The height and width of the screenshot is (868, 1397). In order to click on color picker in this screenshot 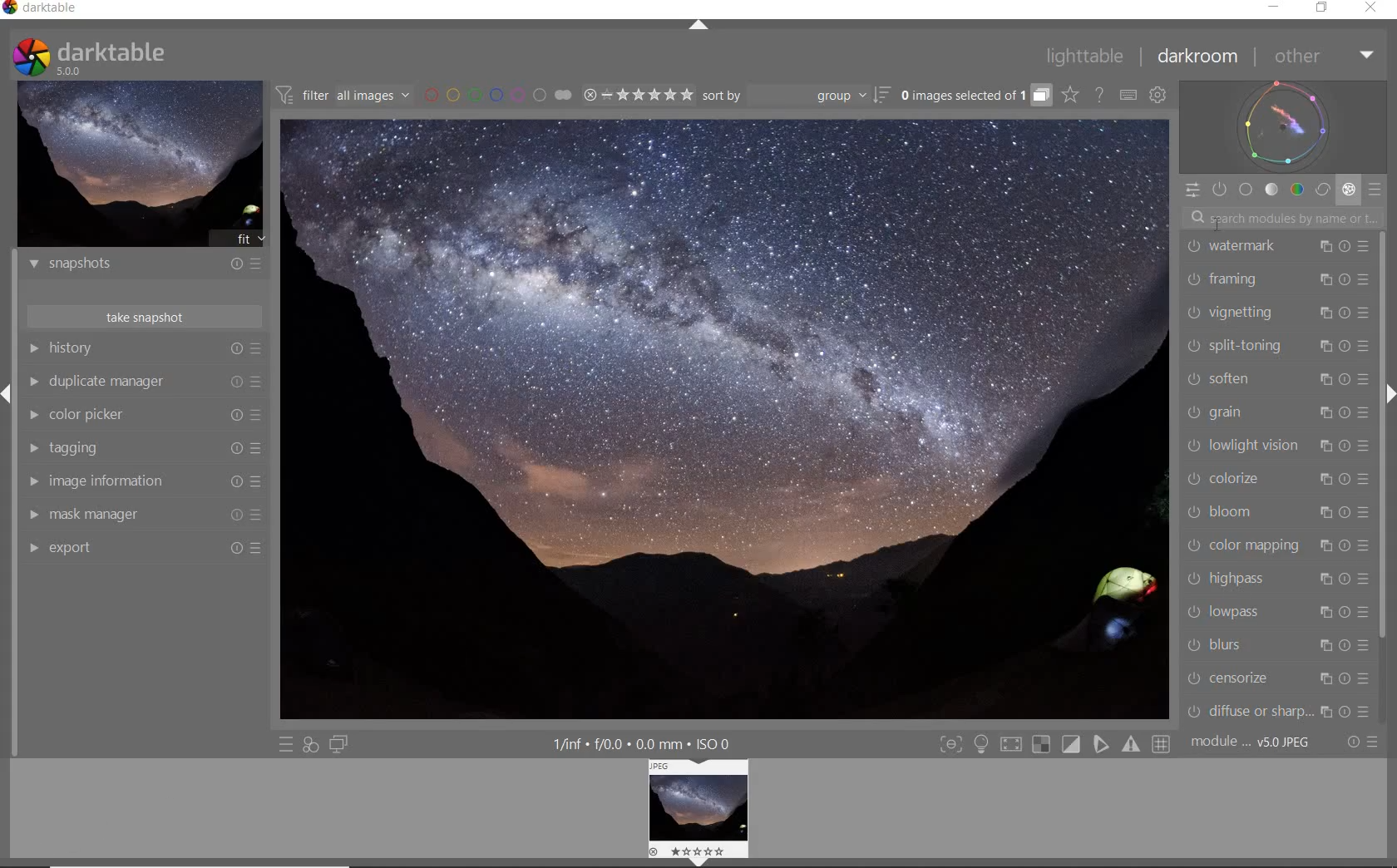, I will do `click(96, 414)`.